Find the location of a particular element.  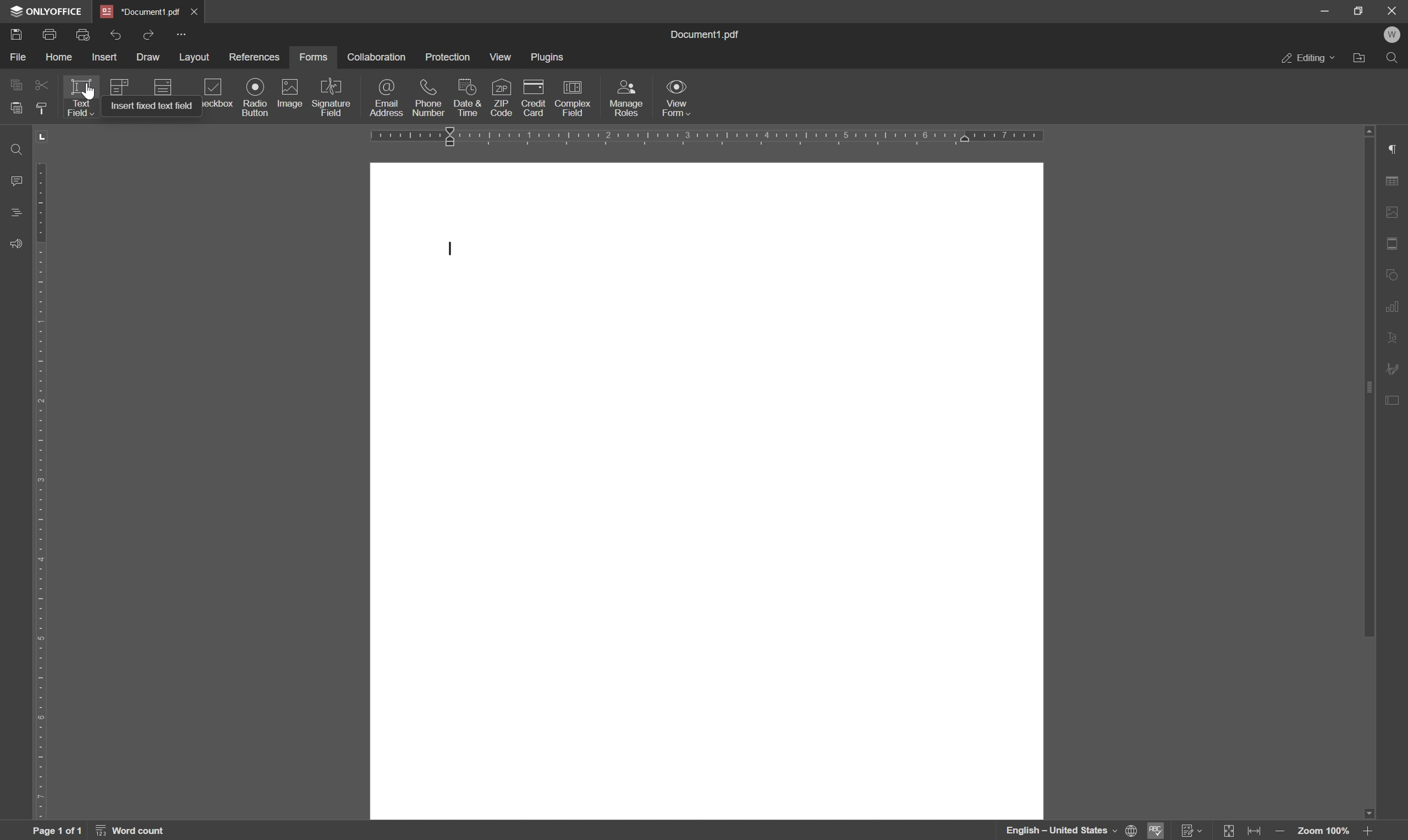

icon is located at coordinates (161, 87).